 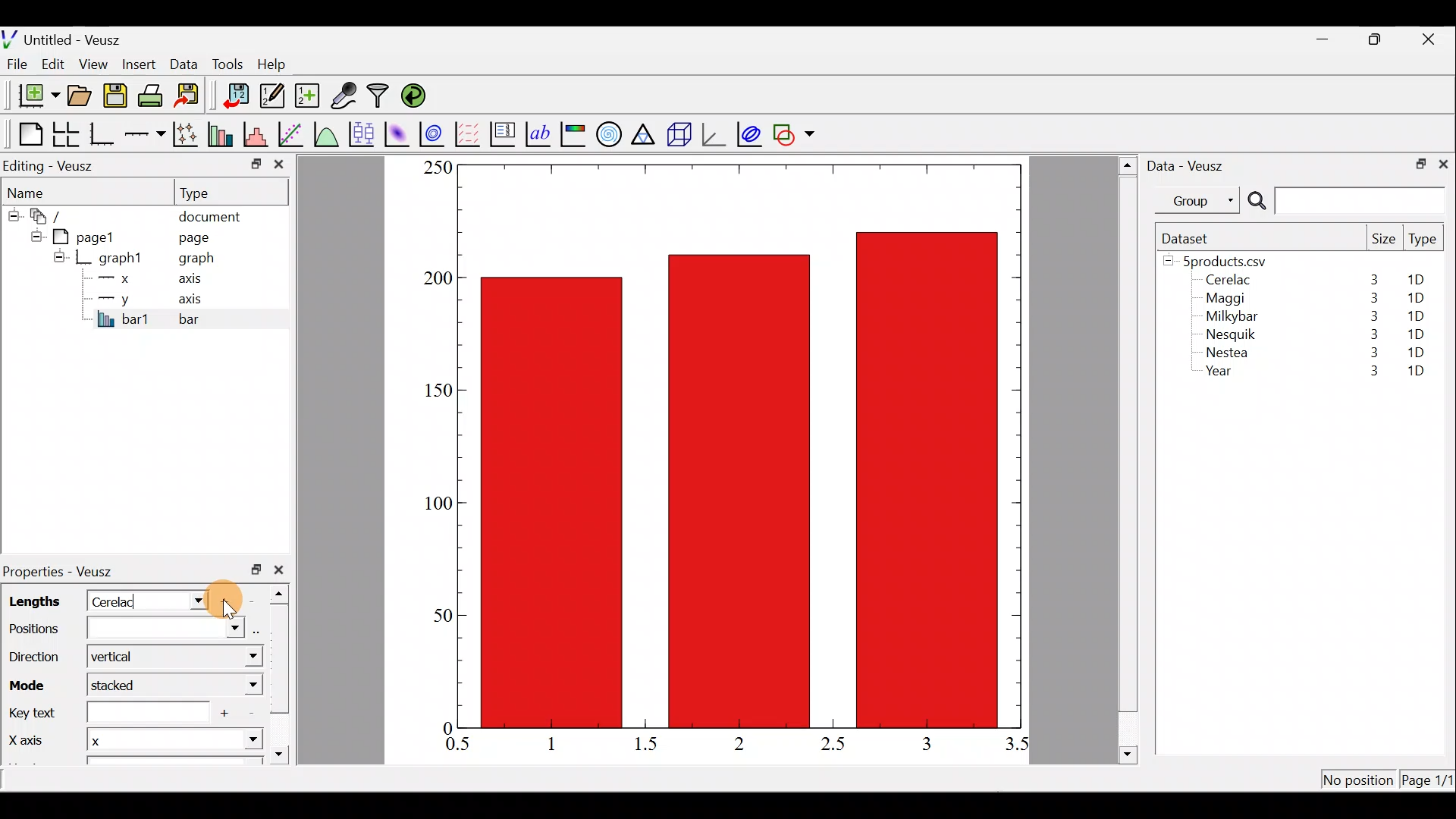 I want to click on add another item, so click(x=227, y=713).